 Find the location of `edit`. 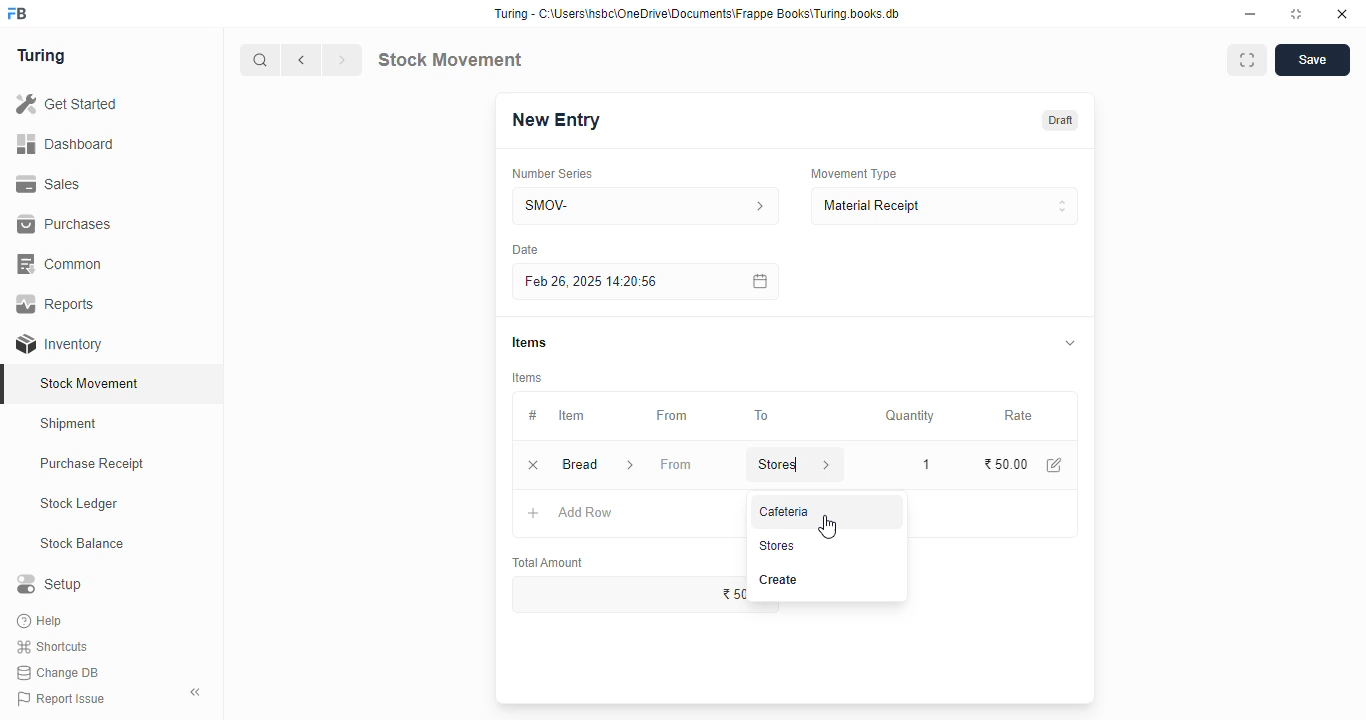

edit is located at coordinates (1055, 465).